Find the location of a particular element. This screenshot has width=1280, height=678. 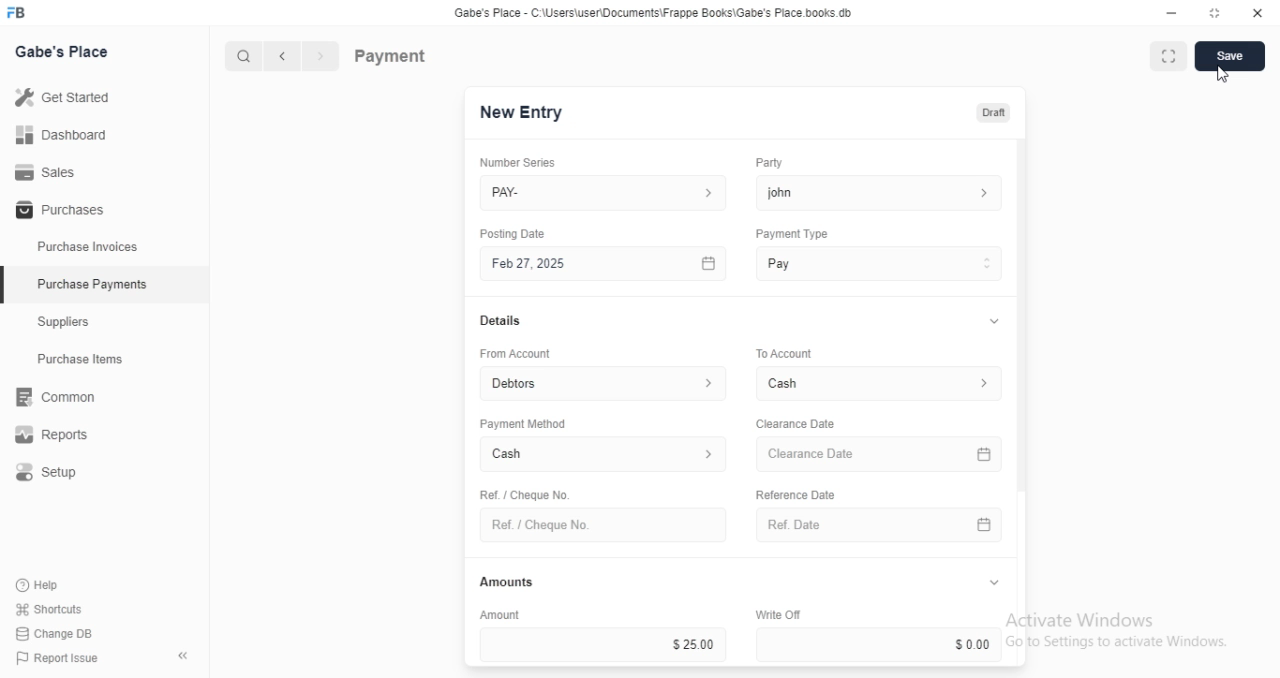

cursor is located at coordinates (1223, 74).